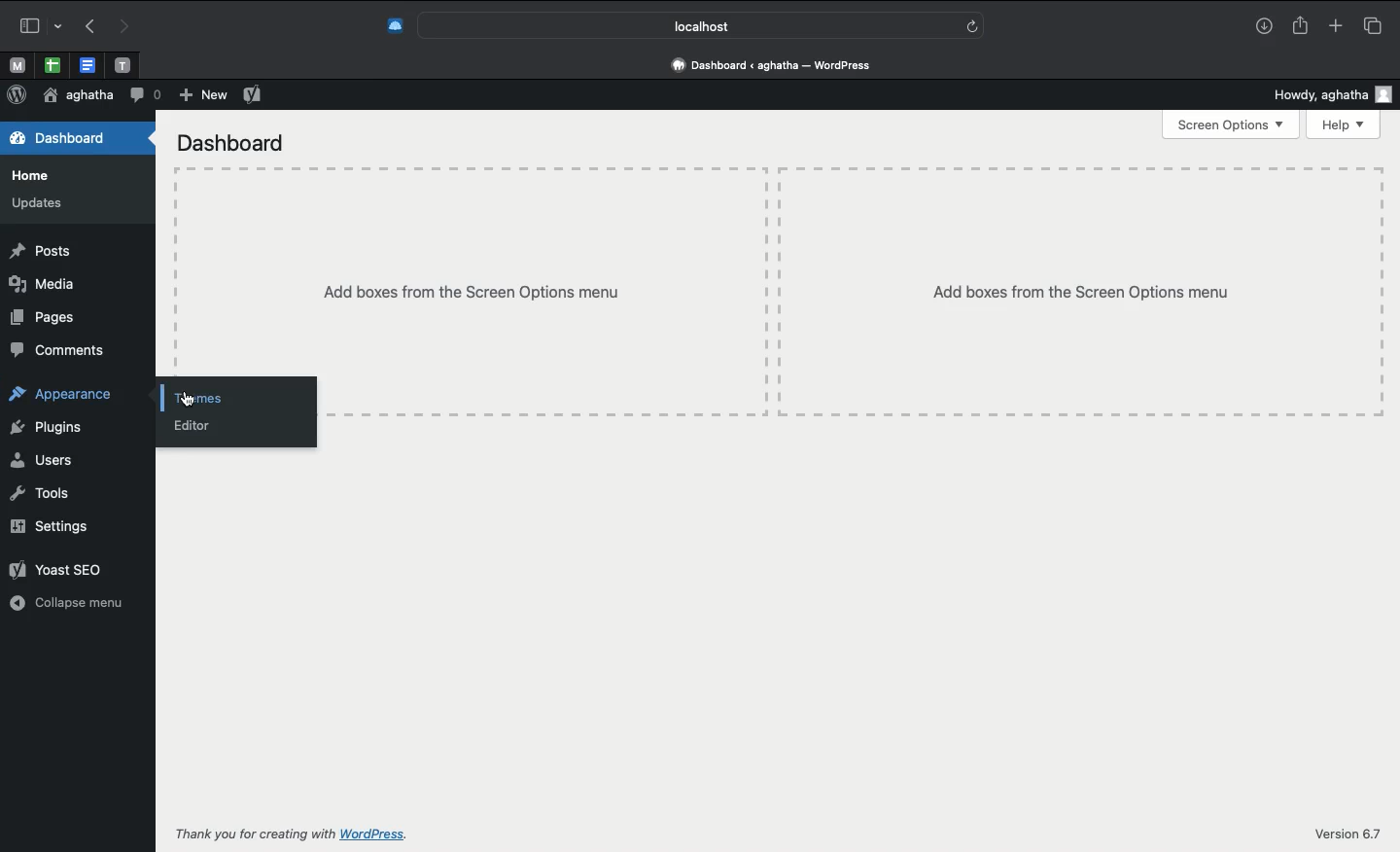 This screenshot has width=1400, height=852. Describe the element at coordinates (1347, 124) in the screenshot. I see `Help` at that location.